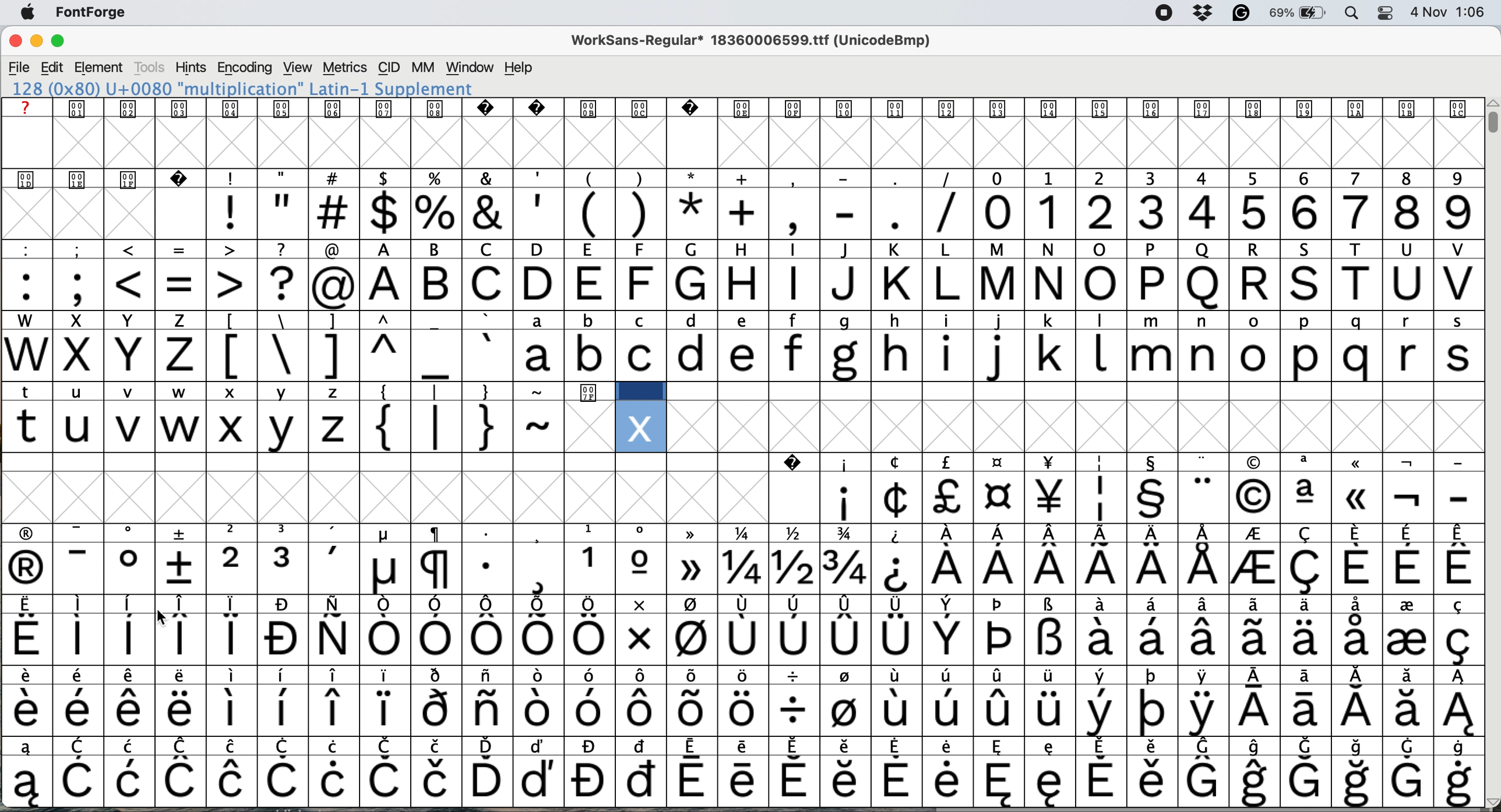 The height and width of the screenshot is (812, 1501). Describe the element at coordinates (829, 605) in the screenshot. I see `special characters` at that location.